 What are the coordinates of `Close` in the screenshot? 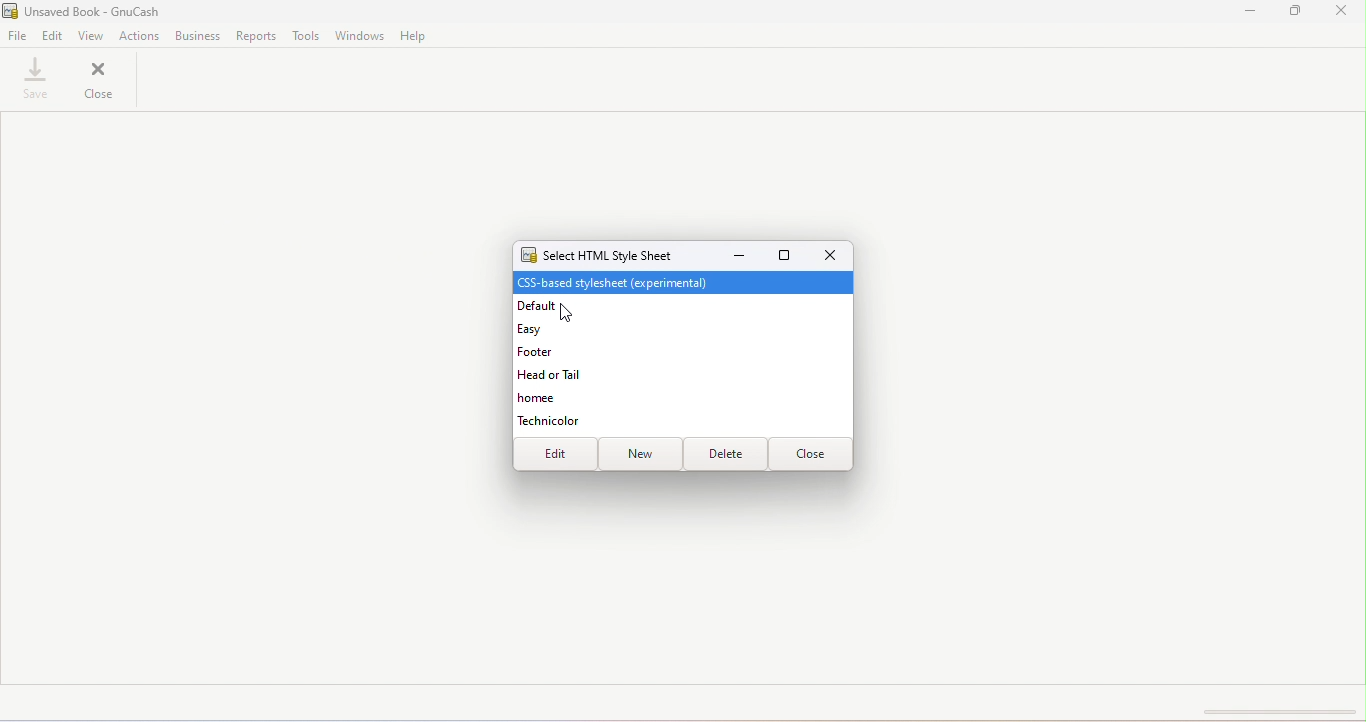 It's located at (104, 85).